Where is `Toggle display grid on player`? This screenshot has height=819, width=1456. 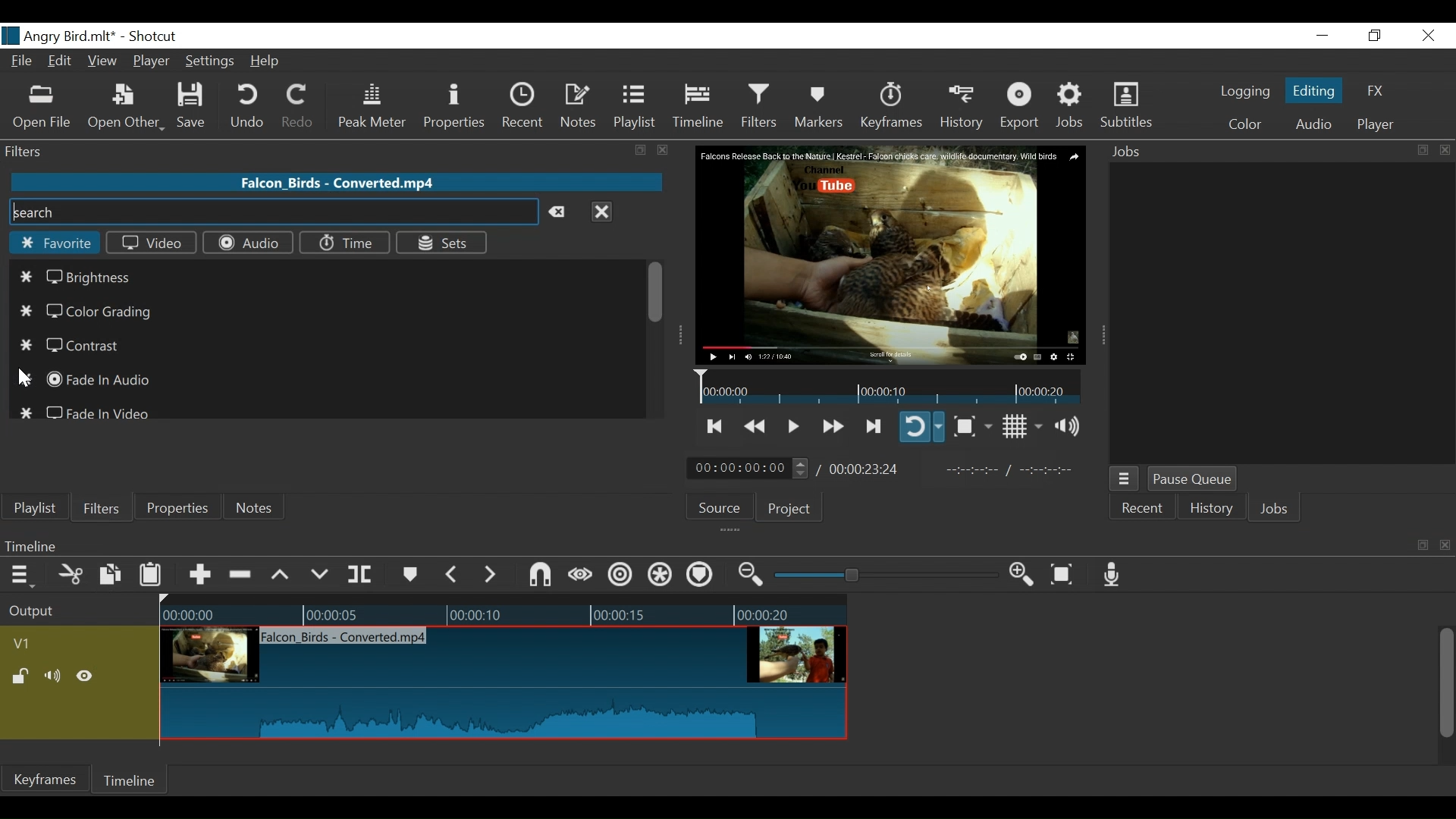 Toggle display grid on player is located at coordinates (1025, 426).